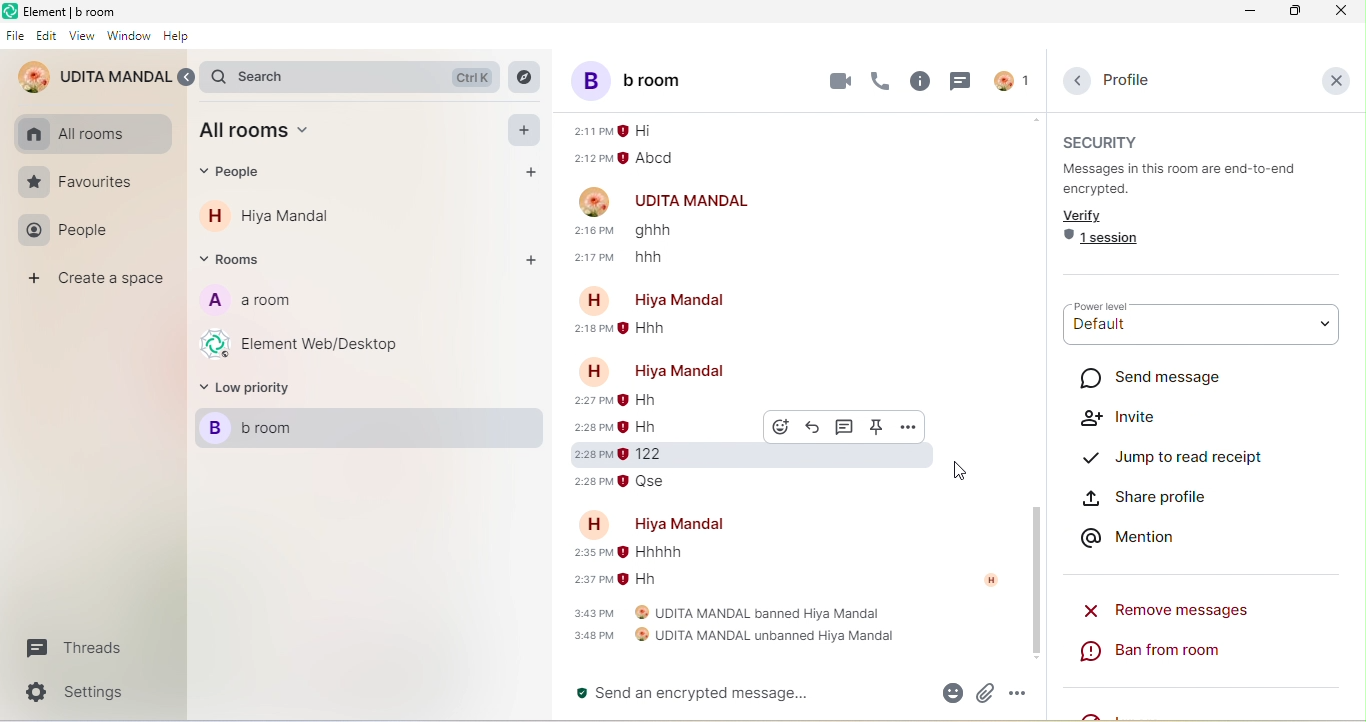  I want to click on all room, so click(263, 134).